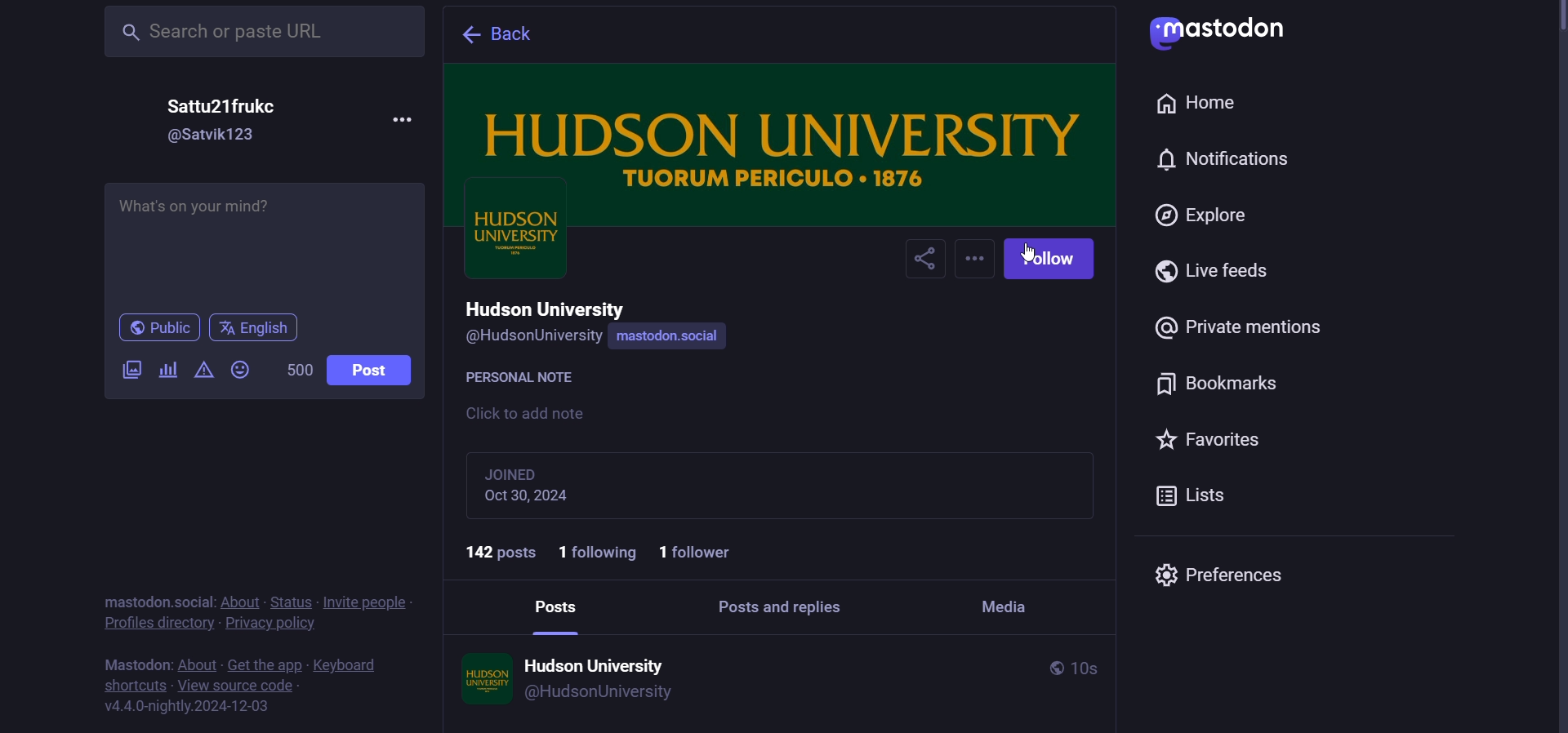  I want to click on preferences, so click(1214, 571).